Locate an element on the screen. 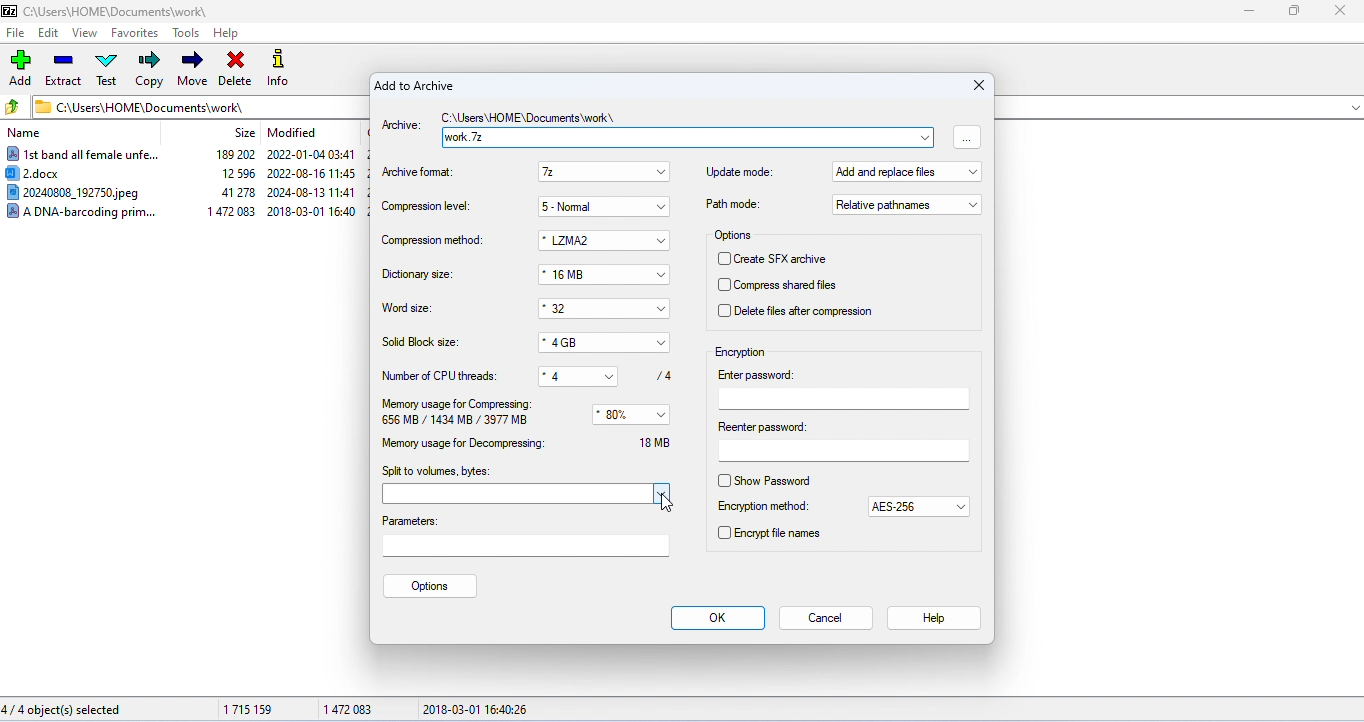  147083 is located at coordinates (346, 706).